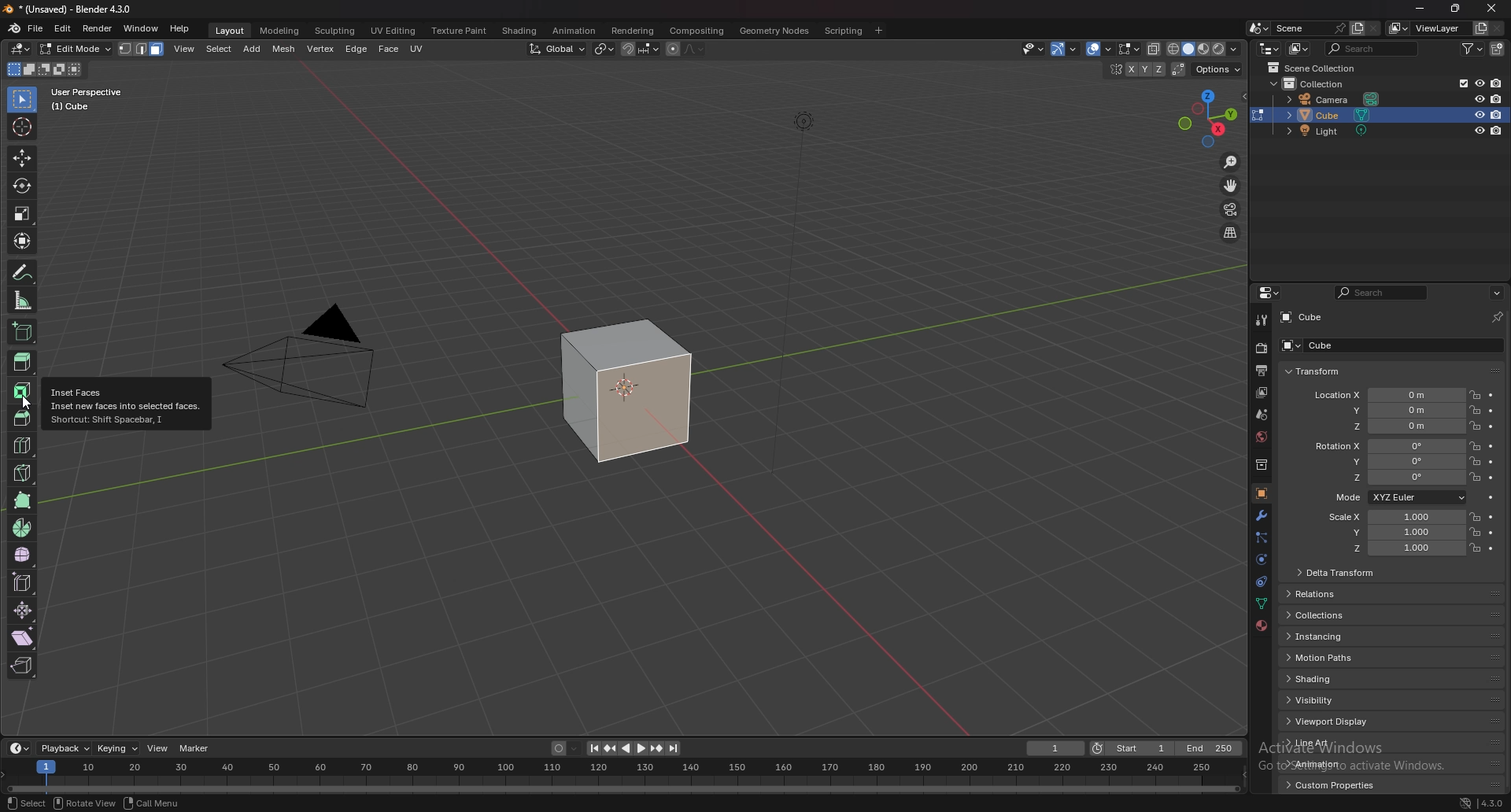 This screenshot has height=812, width=1511. Describe the element at coordinates (118, 748) in the screenshot. I see `keying` at that location.